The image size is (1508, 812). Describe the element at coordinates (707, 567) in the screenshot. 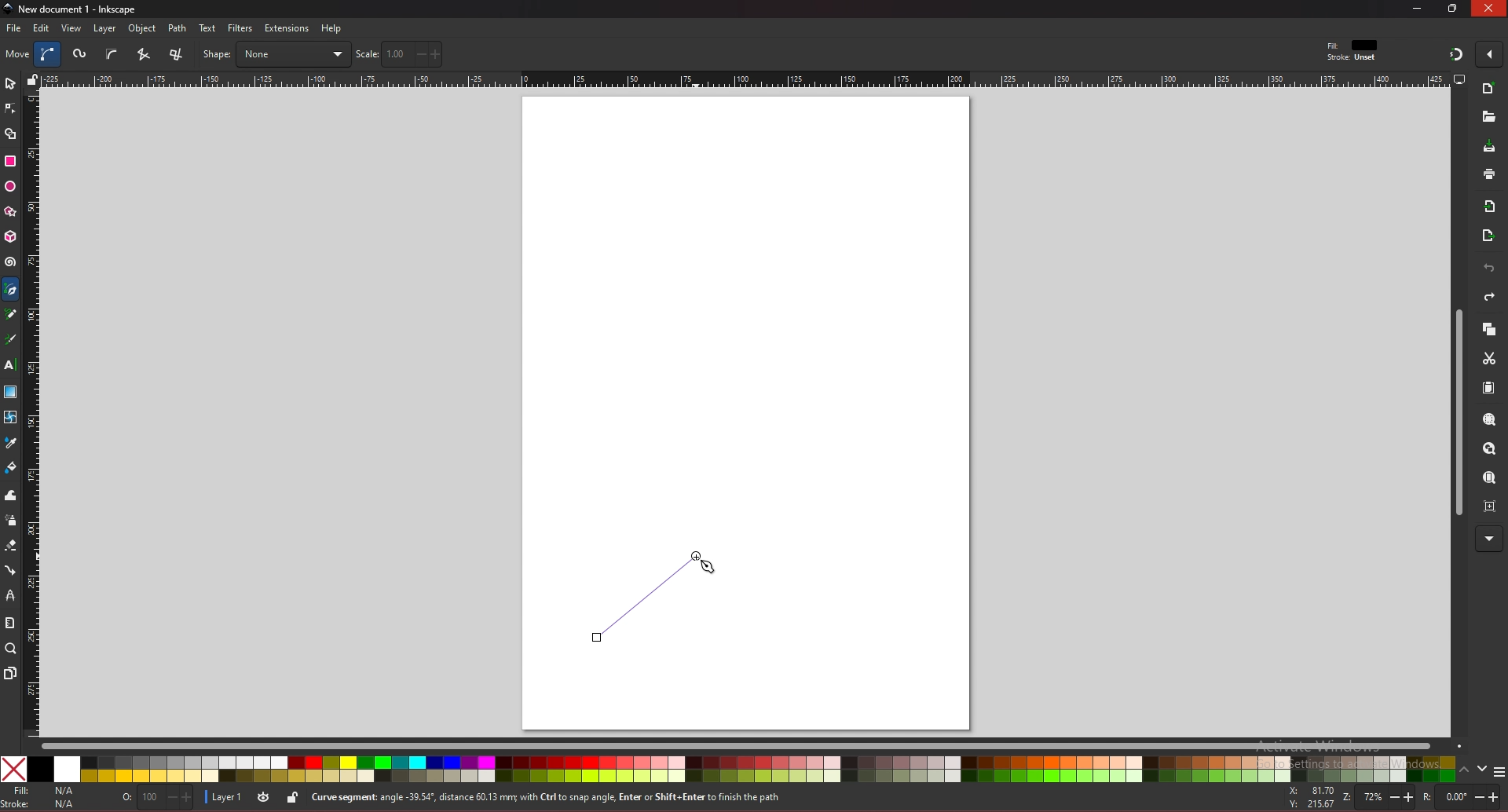

I see `cursor` at that location.